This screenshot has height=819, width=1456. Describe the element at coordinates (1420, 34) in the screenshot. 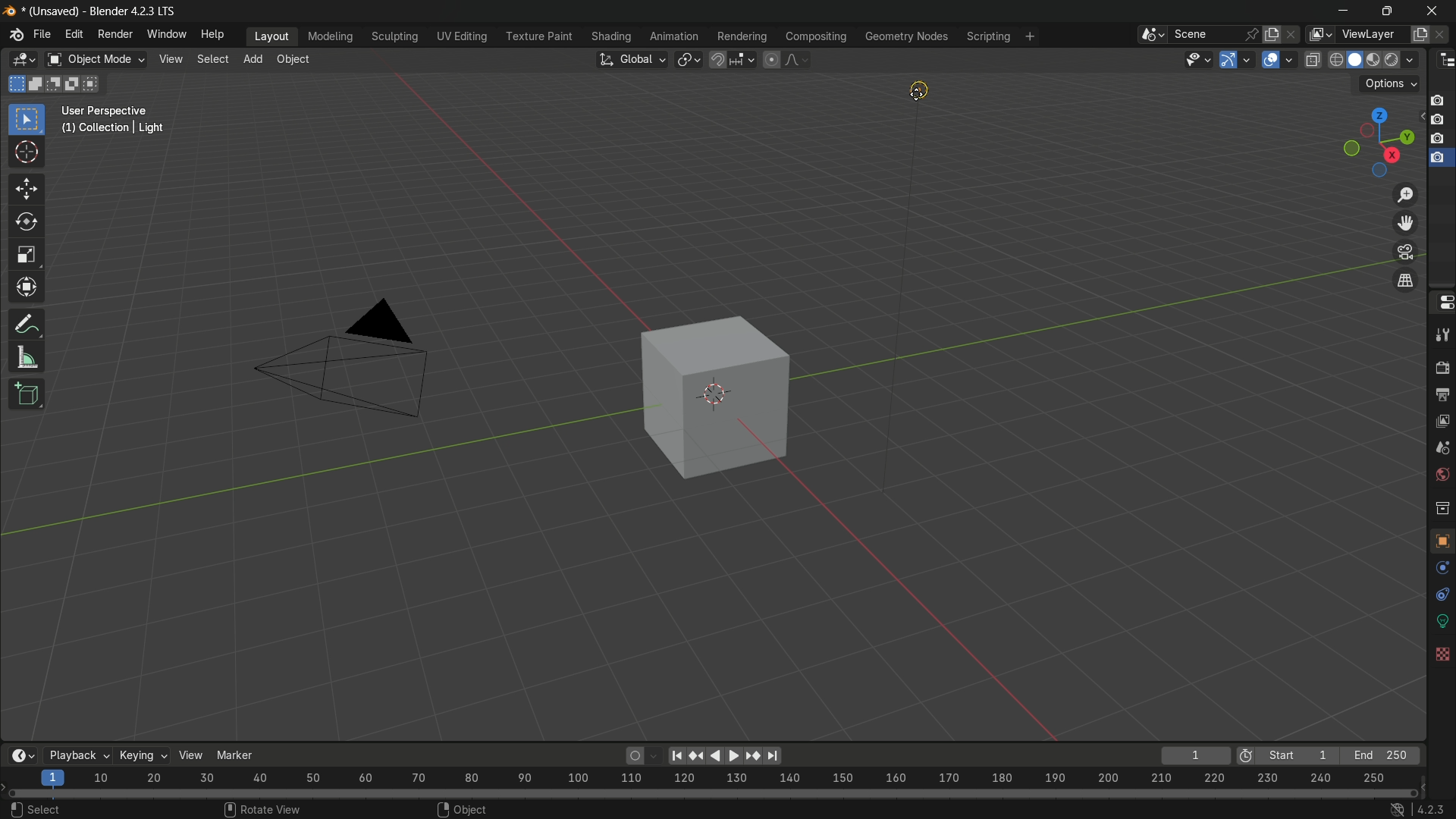

I see `add view layer` at that location.